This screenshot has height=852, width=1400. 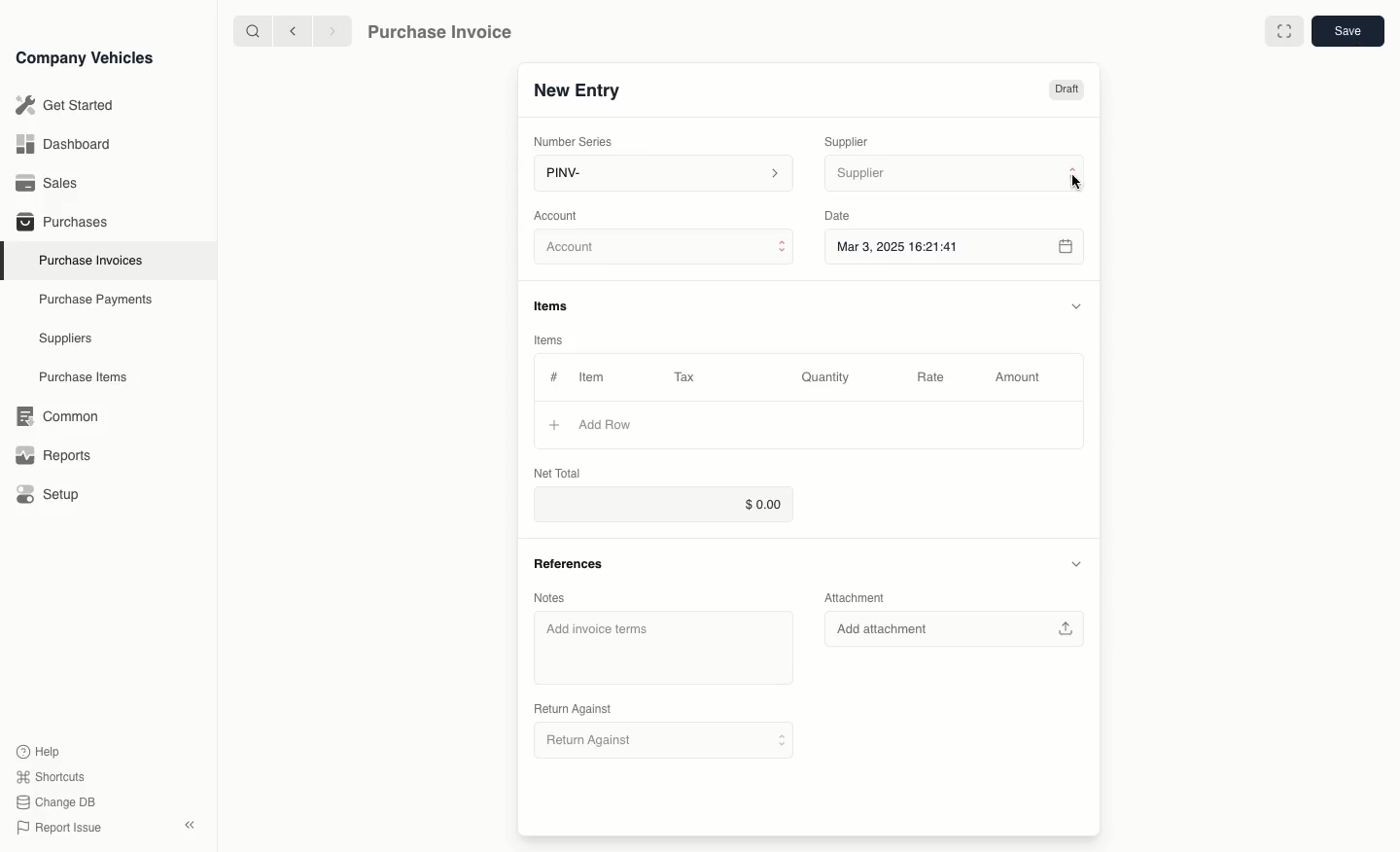 I want to click on PINV-, so click(x=657, y=175).